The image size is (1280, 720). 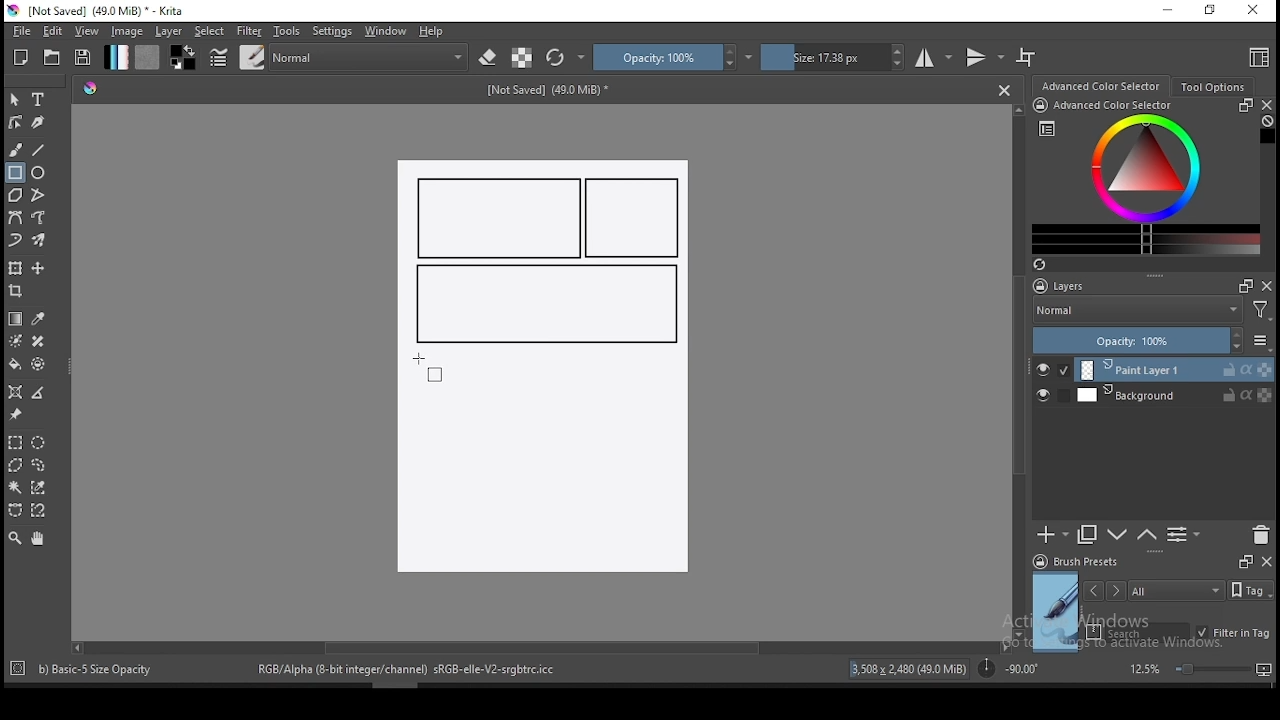 I want to click on windows, so click(x=386, y=31).